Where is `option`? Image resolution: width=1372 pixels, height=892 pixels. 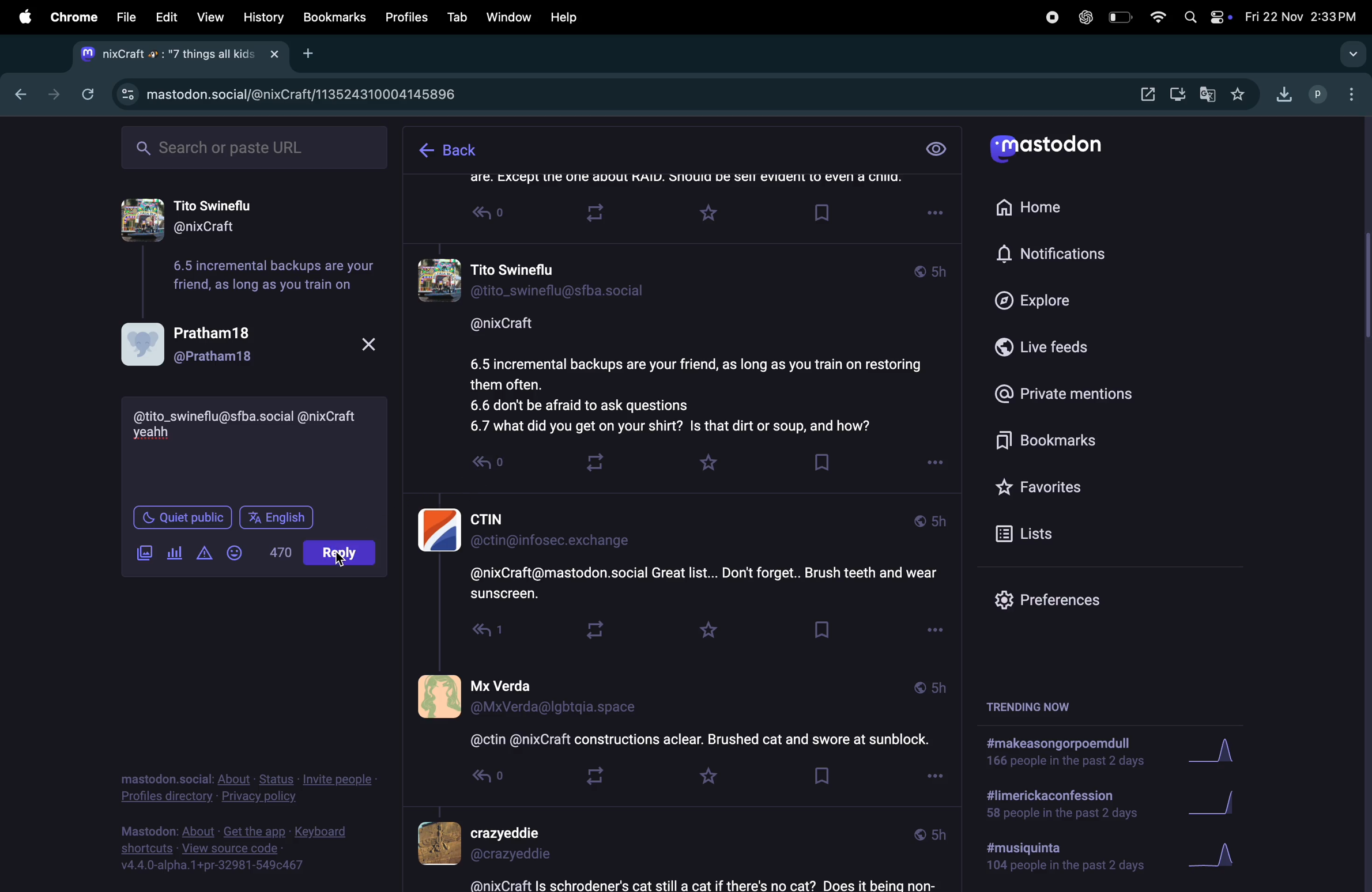
option is located at coordinates (1349, 92).